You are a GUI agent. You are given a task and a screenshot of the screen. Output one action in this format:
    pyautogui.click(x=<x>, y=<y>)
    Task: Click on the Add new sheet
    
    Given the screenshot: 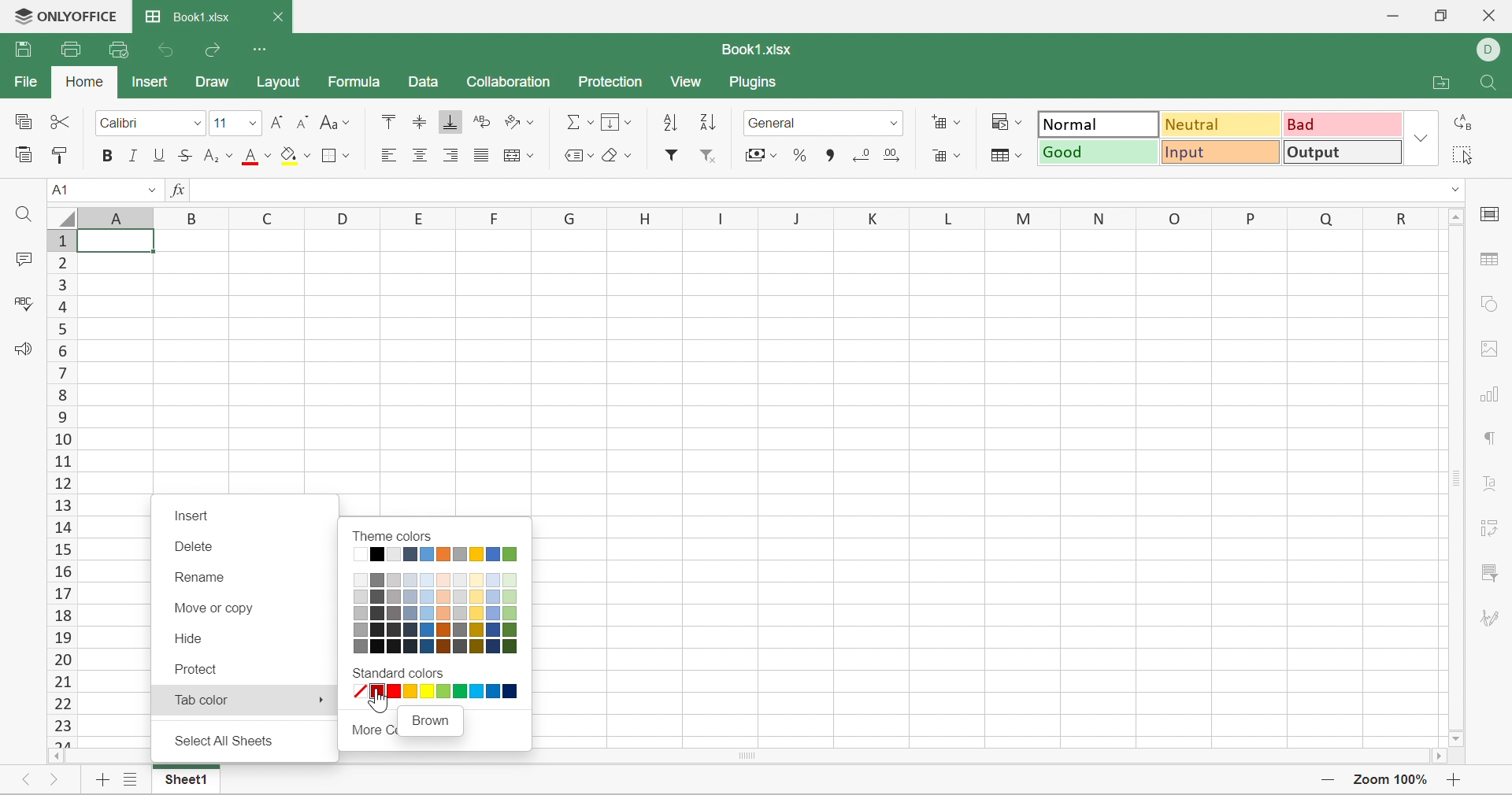 What is the action you would take?
    pyautogui.click(x=101, y=780)
    